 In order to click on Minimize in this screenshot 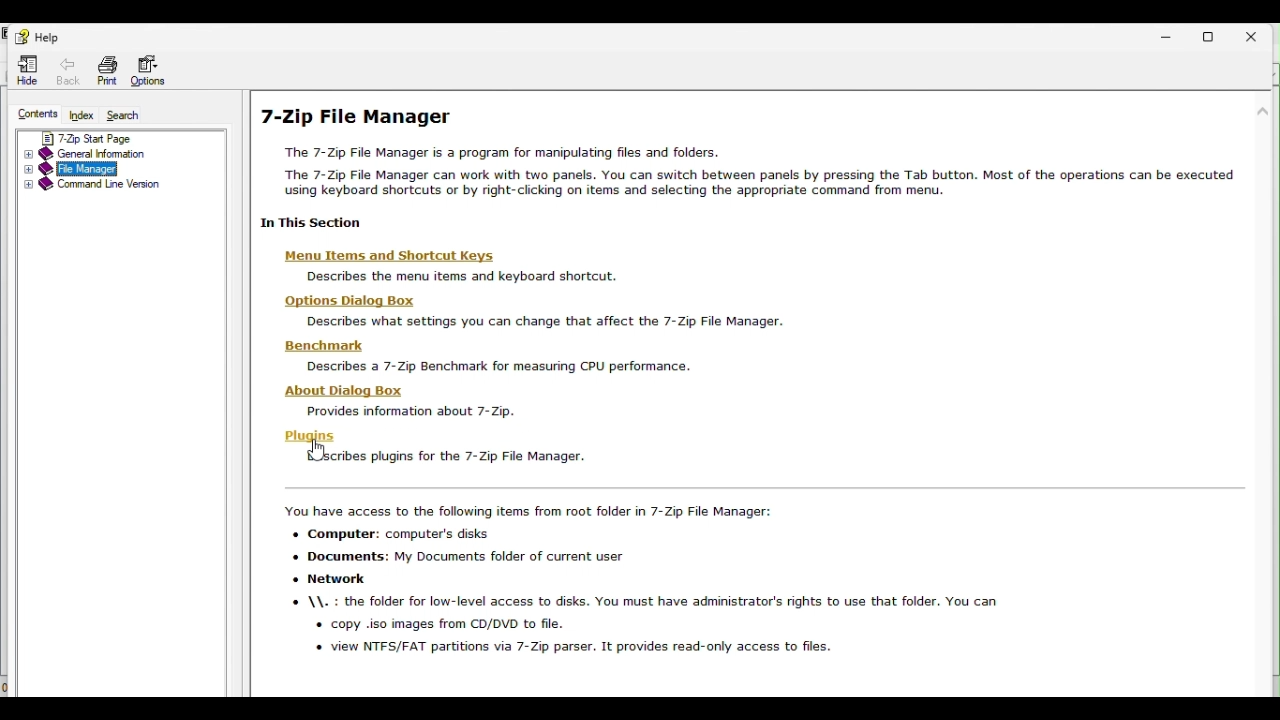, I will do `click(1167, 35)`.